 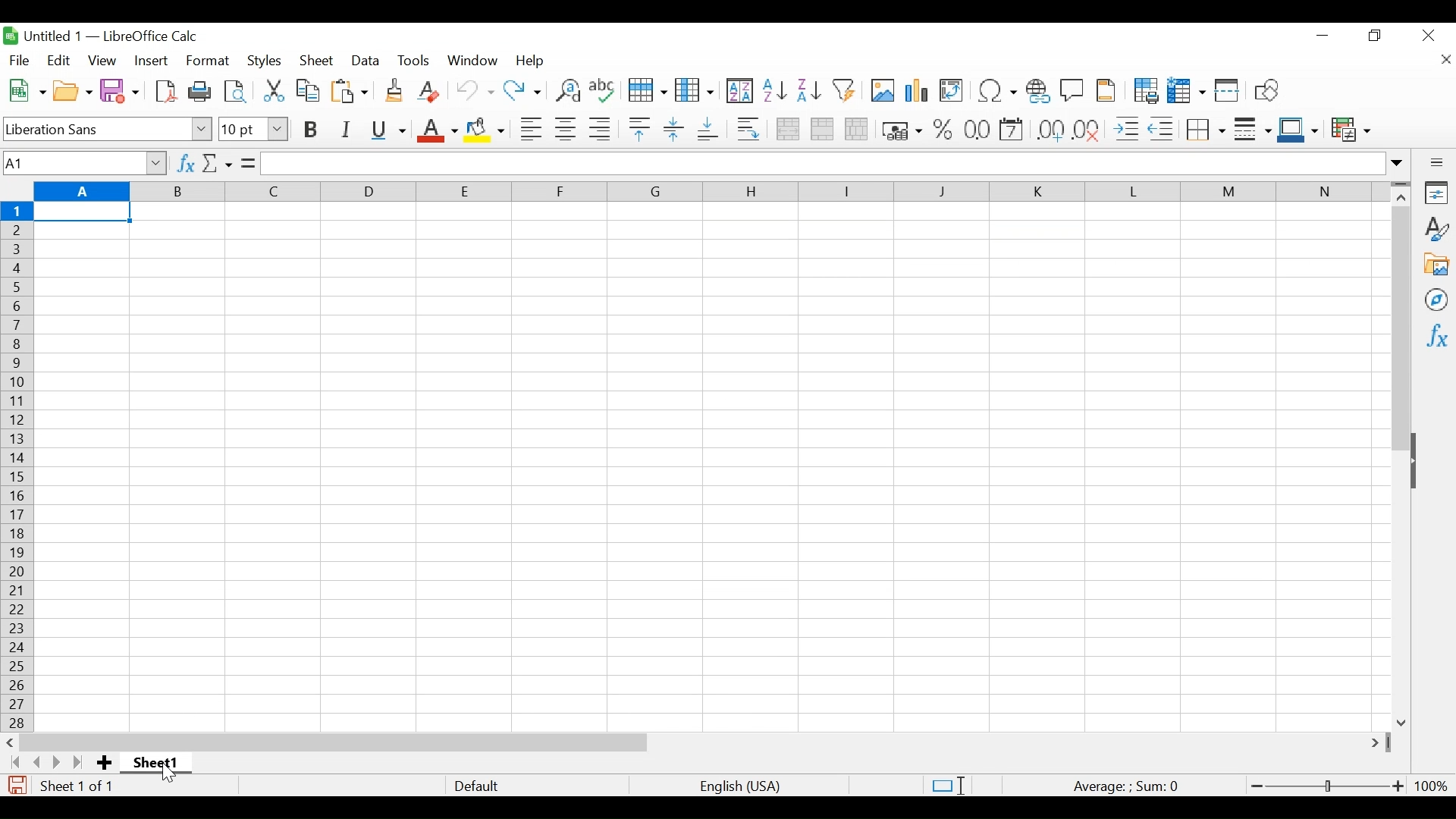 What do you see at coordinates (1266, 91) in the screenshot?
I see `Insert Shapes` at bounding box center [1266, 91].